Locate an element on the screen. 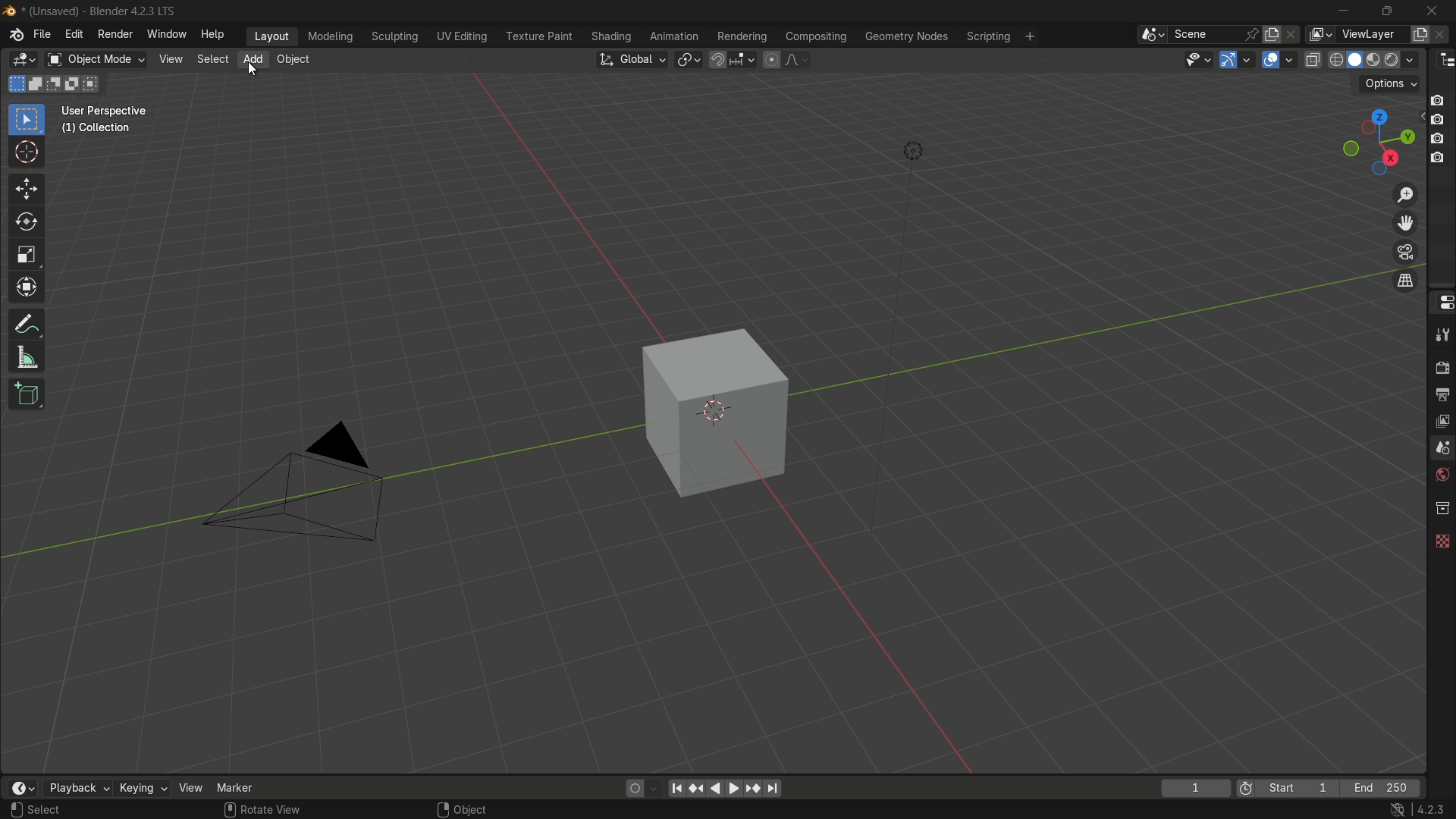 This screenshot has width=1456, height=819. current frame is located at coordinates (1196, 787).